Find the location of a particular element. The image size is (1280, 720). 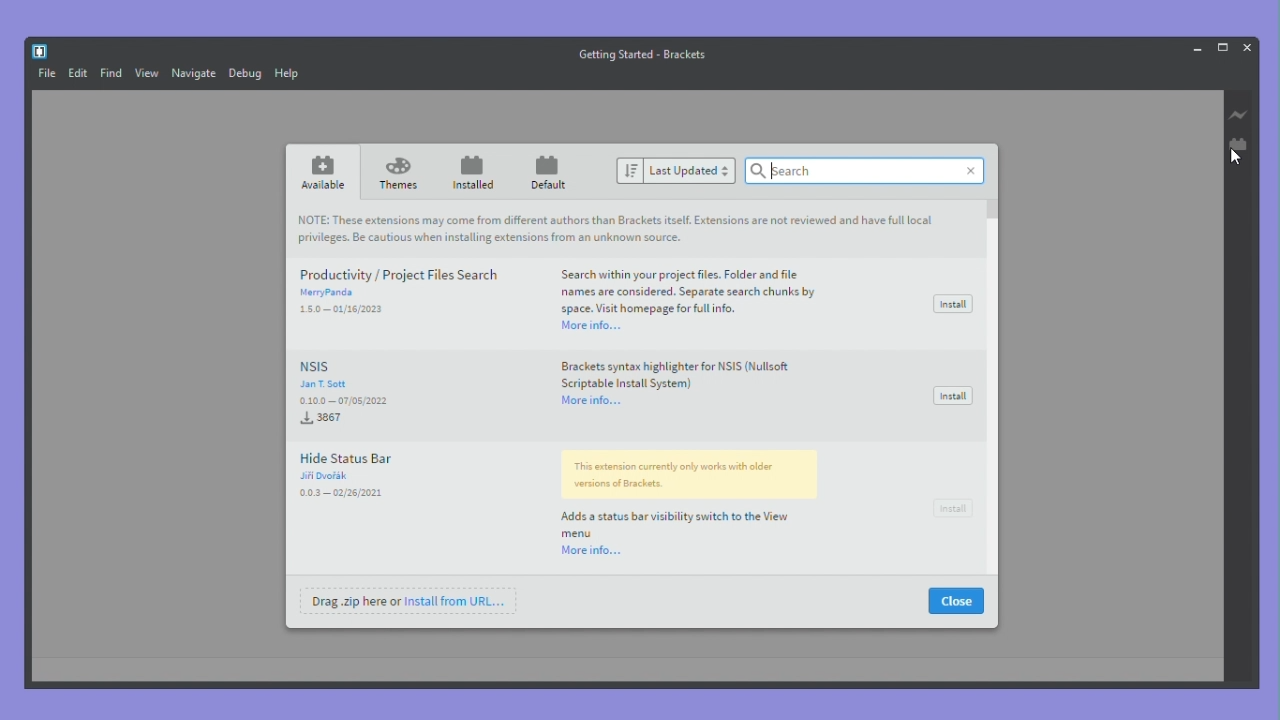

Themes is located at coordinates (400, 175).